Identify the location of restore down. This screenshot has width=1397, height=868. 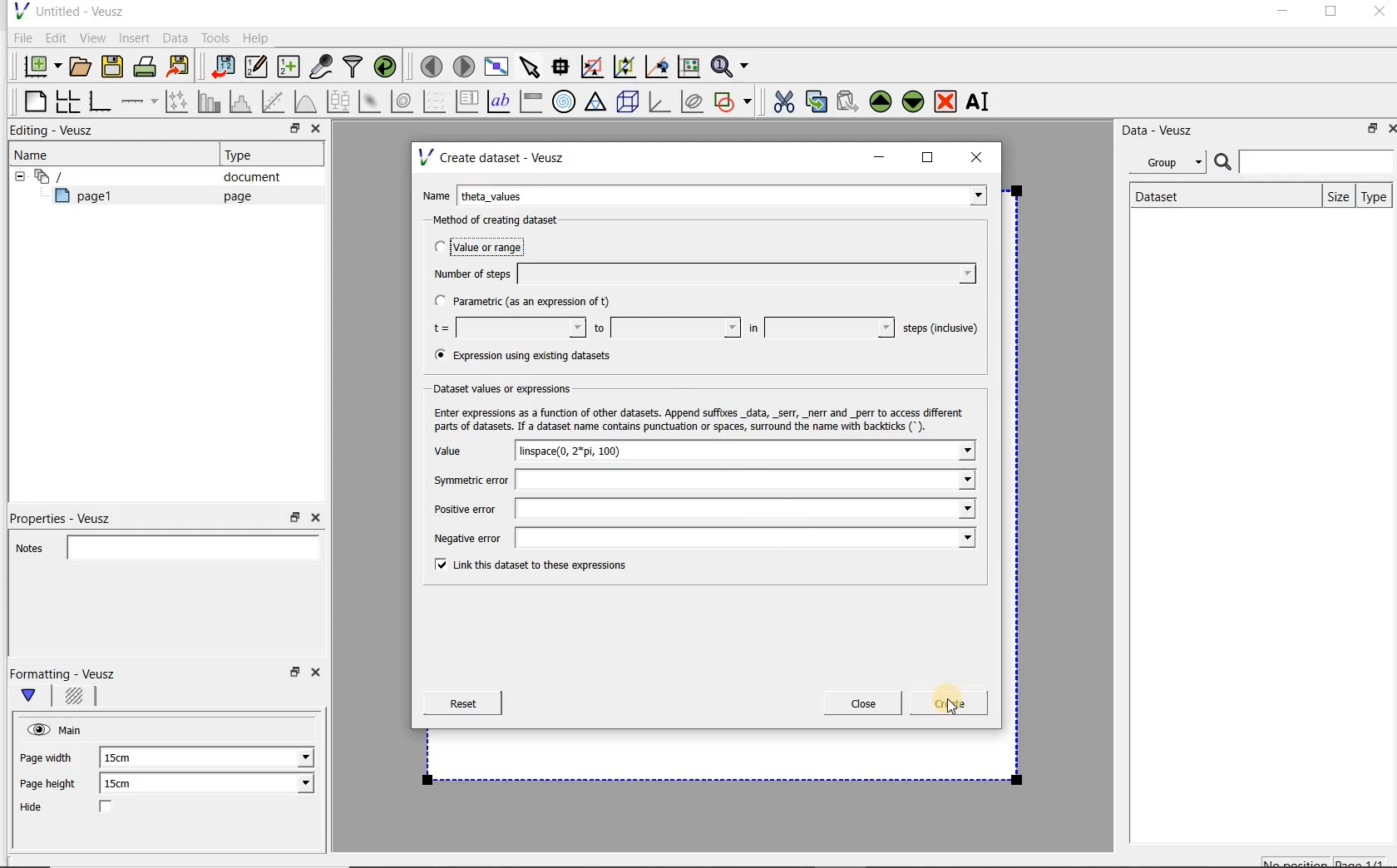
(290, 131).